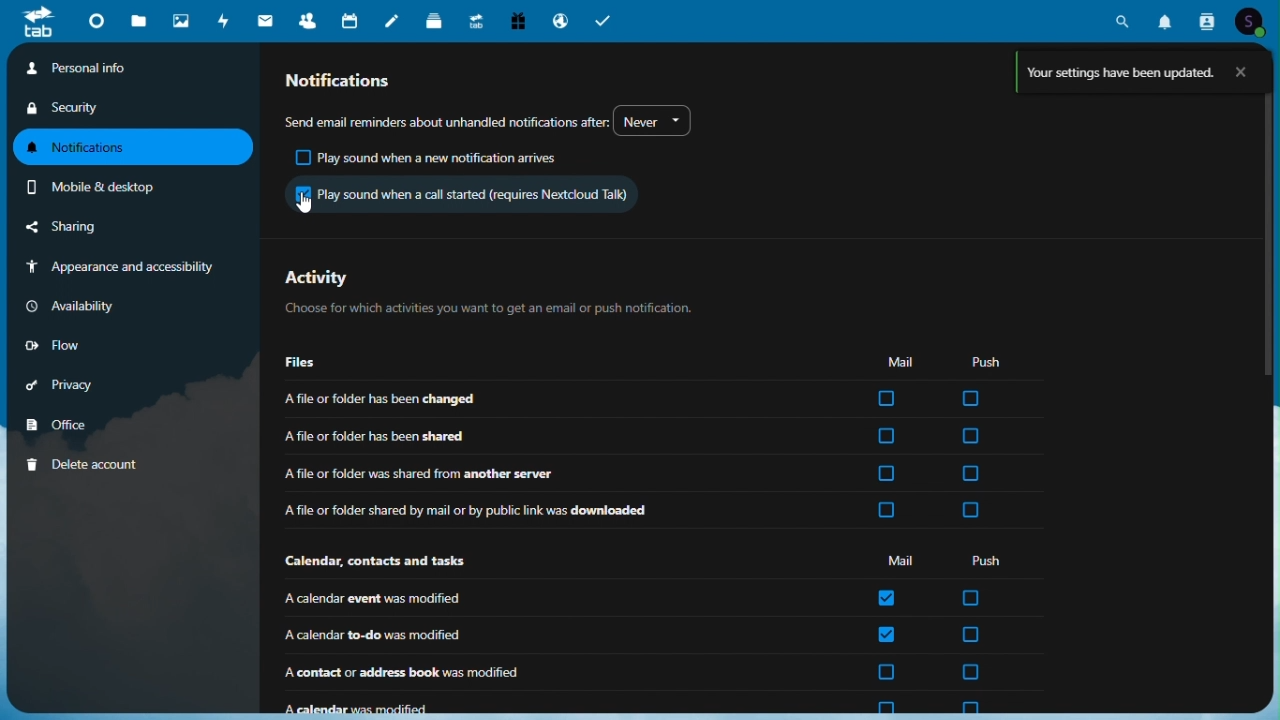 The height and width of the screenshot is (720, 1280). Describe the element at coordinates (532, 599) in the screenshot. I see `Calendar event was modified` at that location.